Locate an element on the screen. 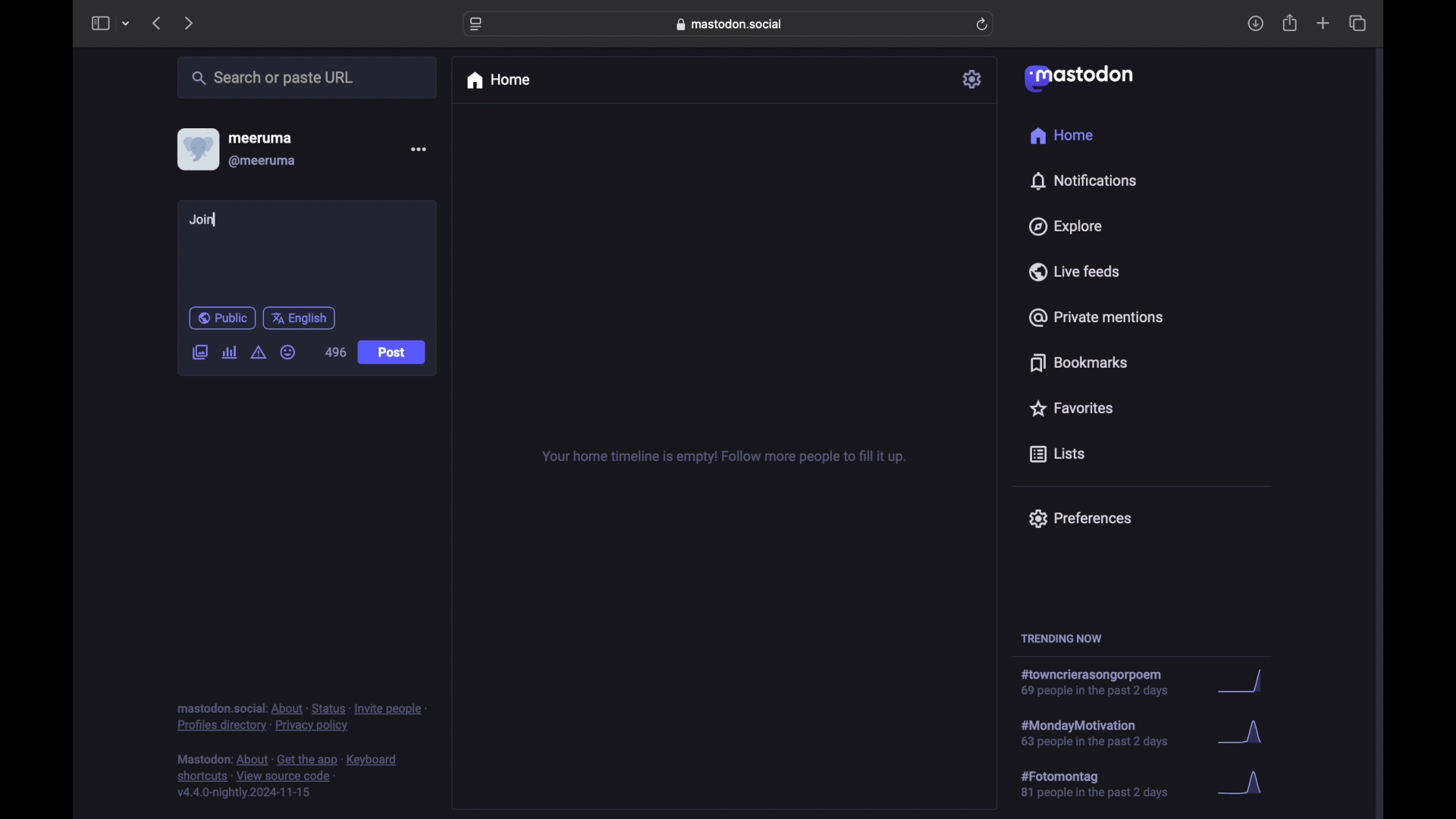  footnote is located at coordinates (290, 777).